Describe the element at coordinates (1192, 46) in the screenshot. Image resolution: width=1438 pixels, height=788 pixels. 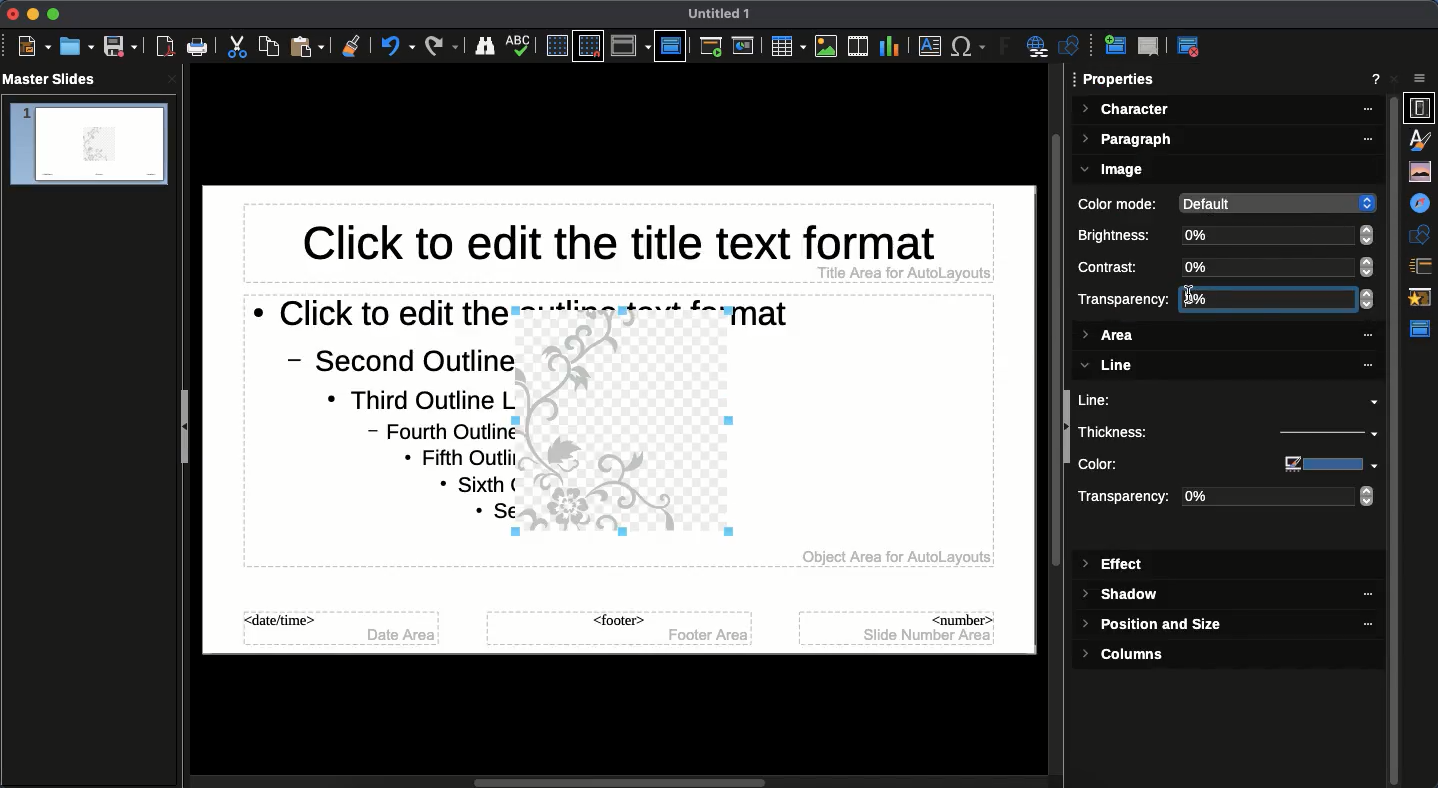
I see `Master view close` at that location.